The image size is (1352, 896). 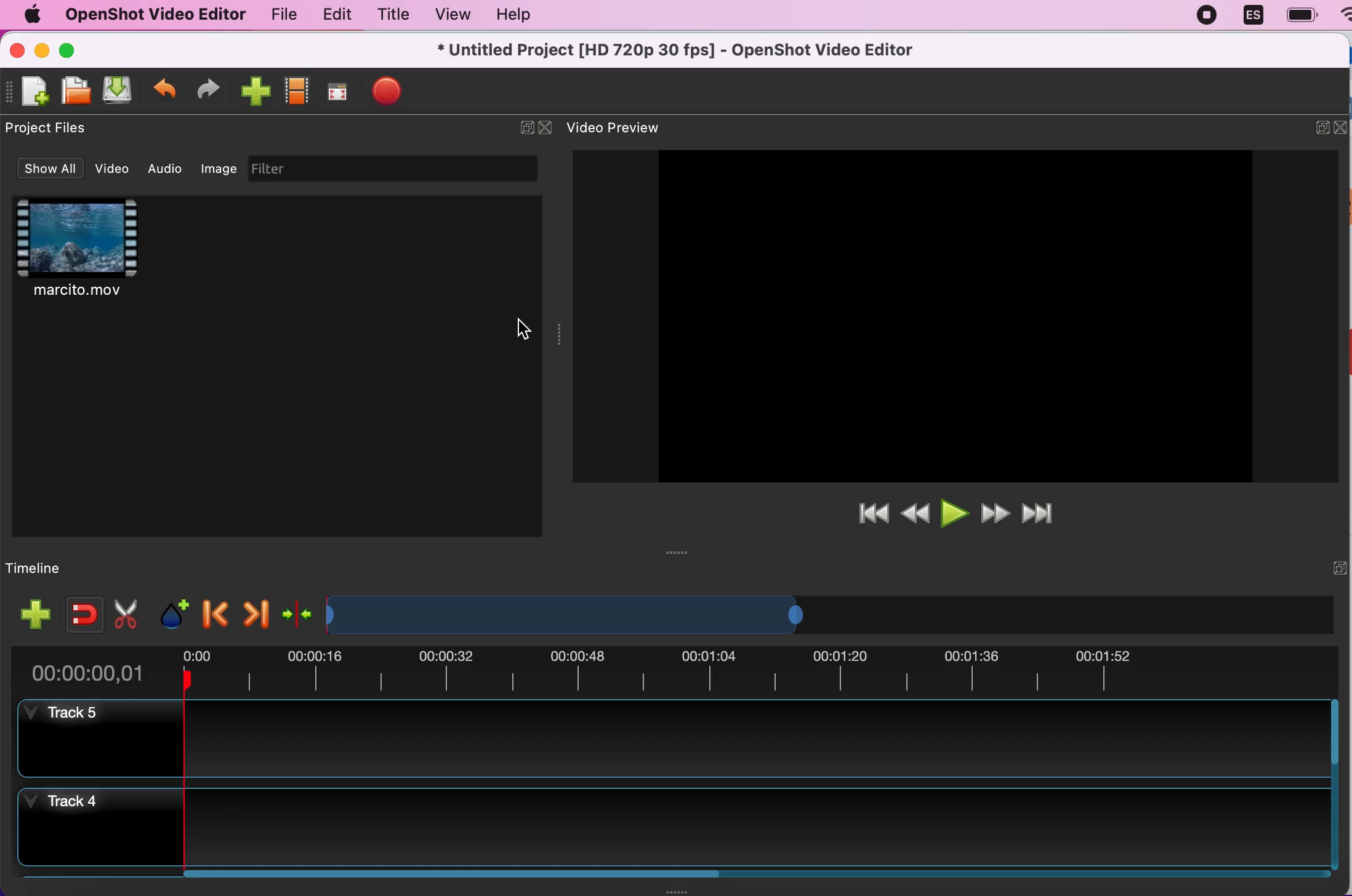 I want to click on previous marker, so click(x=213, y=612).